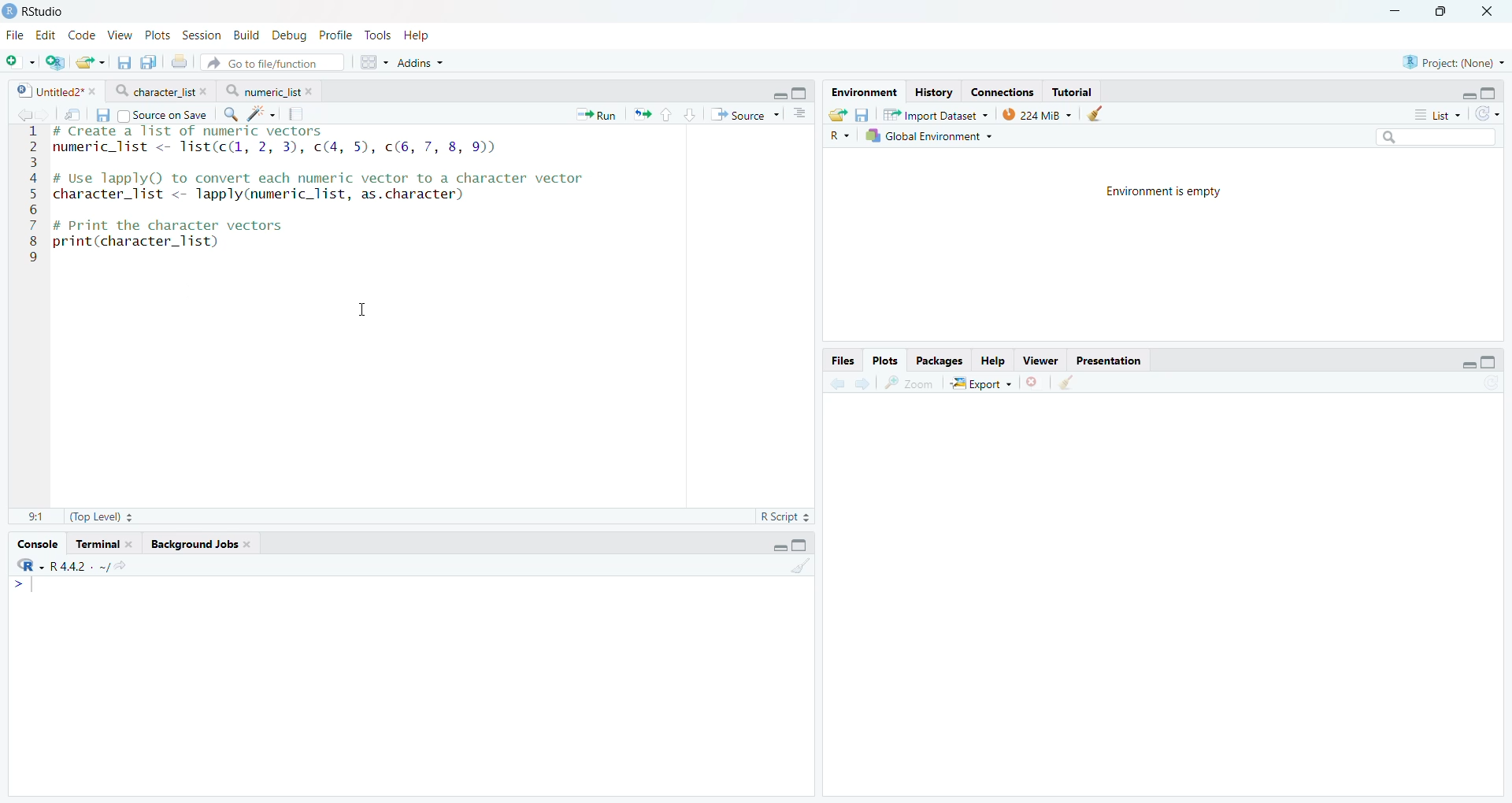 Image resolution: width=1512 pixels, height=803 pixels. What do you see at coordinates (941, 360) in the screenshot?
I see `Packages` at bounding box center [941, 360].